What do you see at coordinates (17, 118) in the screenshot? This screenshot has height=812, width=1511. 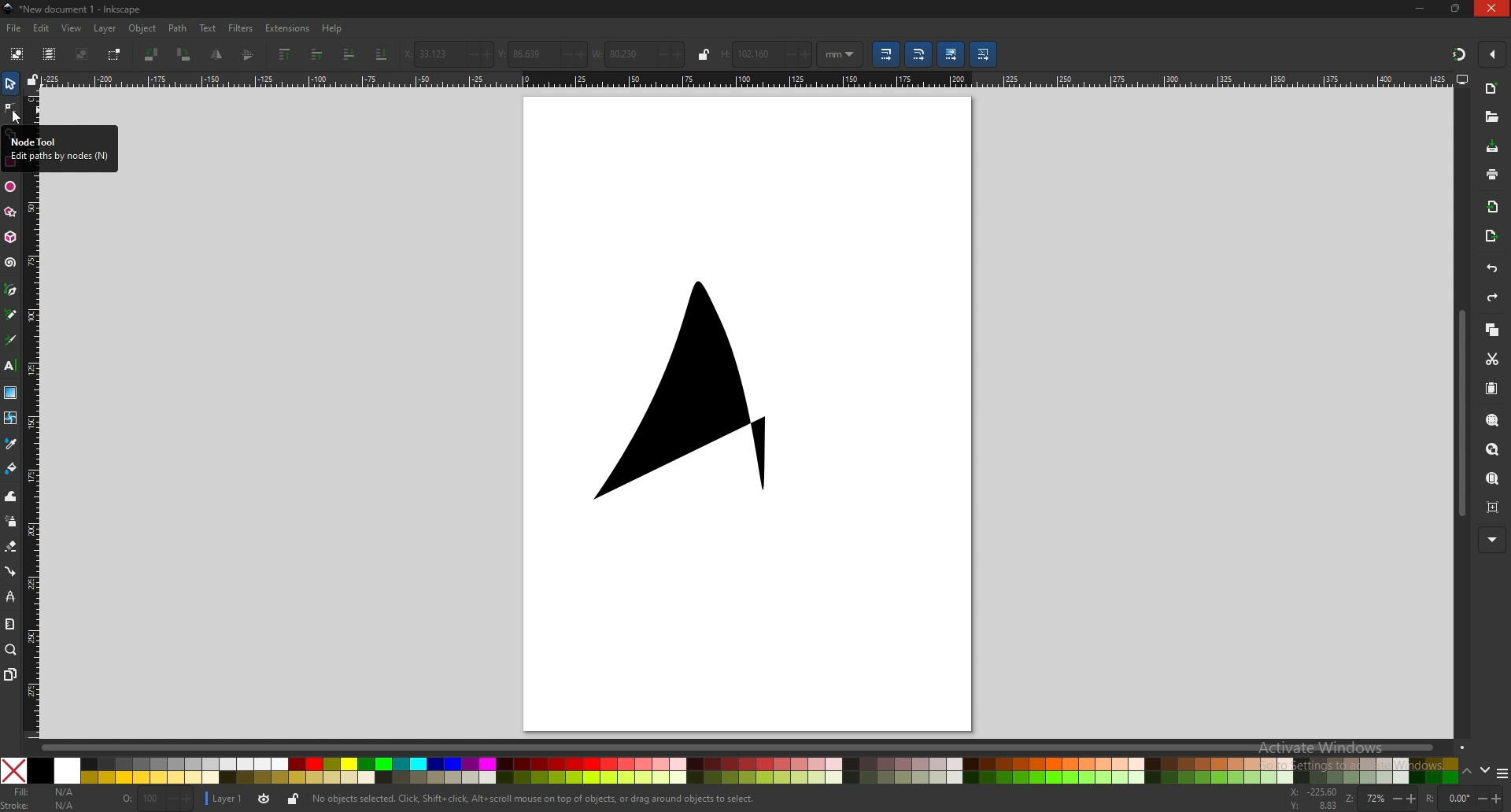 I see `cursor` at bounding box center [17, 118].